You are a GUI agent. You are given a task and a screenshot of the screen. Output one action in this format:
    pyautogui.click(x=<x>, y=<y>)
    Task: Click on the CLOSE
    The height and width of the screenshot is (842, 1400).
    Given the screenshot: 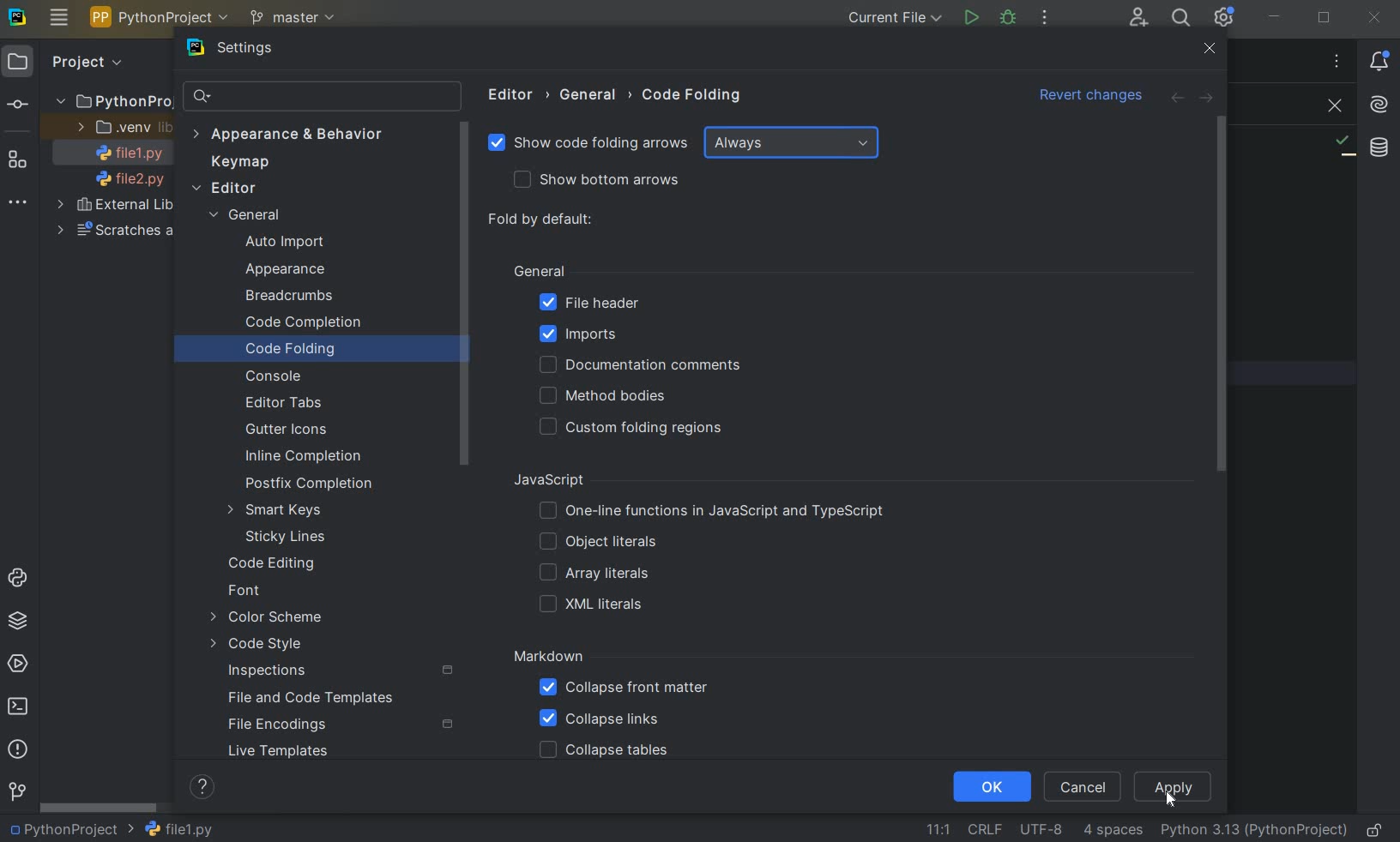 What is the action you would take?
    pyautogui.click(x=1210, y=49)
    